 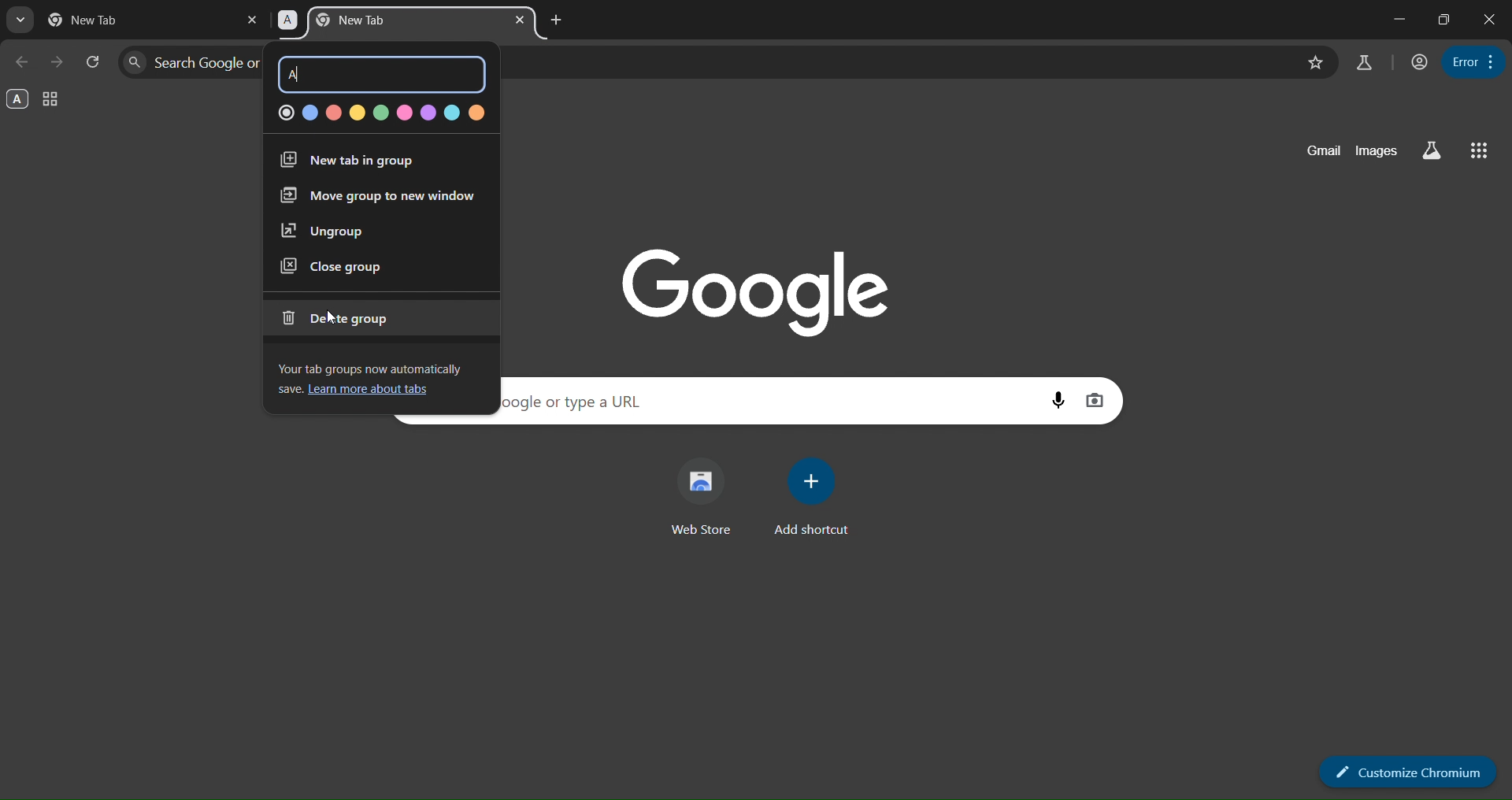 I want to click on google, so click(x=764, y=287).